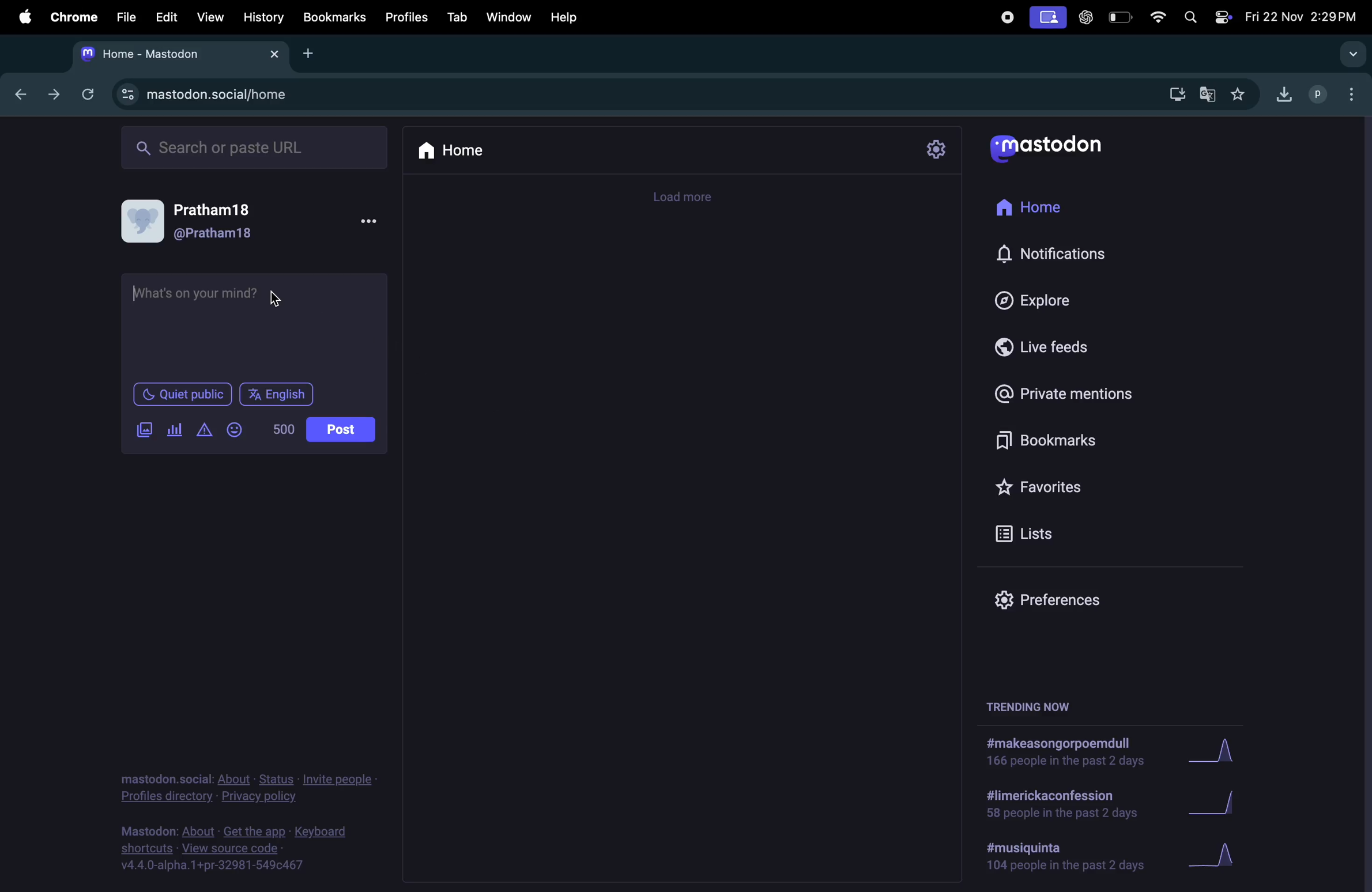 The height and width of the screenshot is (892, 1372). Describe the element at coordinates (1088, 486) in the screenshot. I see `favourites` at that location.